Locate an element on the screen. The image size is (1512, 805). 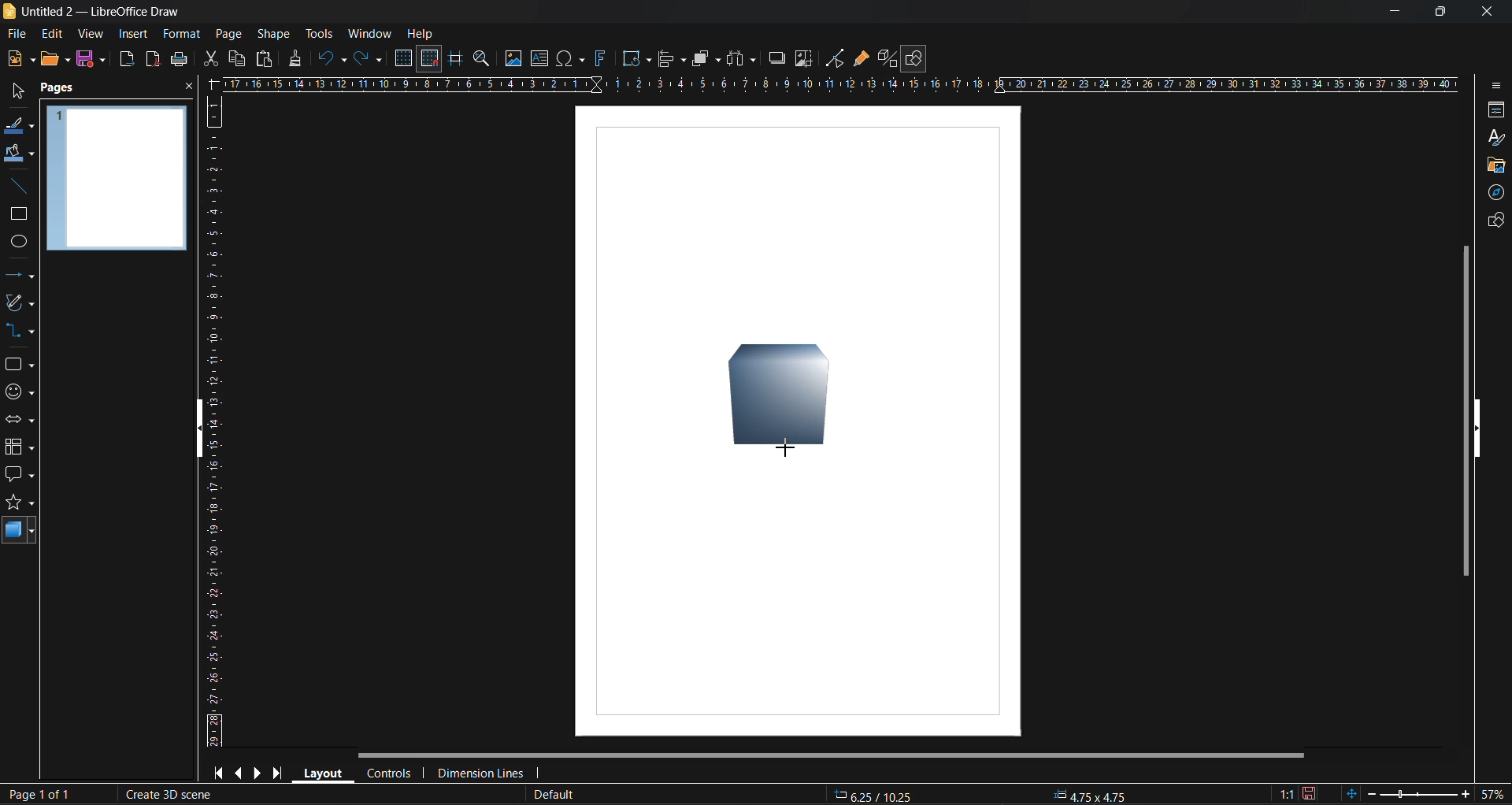
shapes is located at coordinates (18, 365).